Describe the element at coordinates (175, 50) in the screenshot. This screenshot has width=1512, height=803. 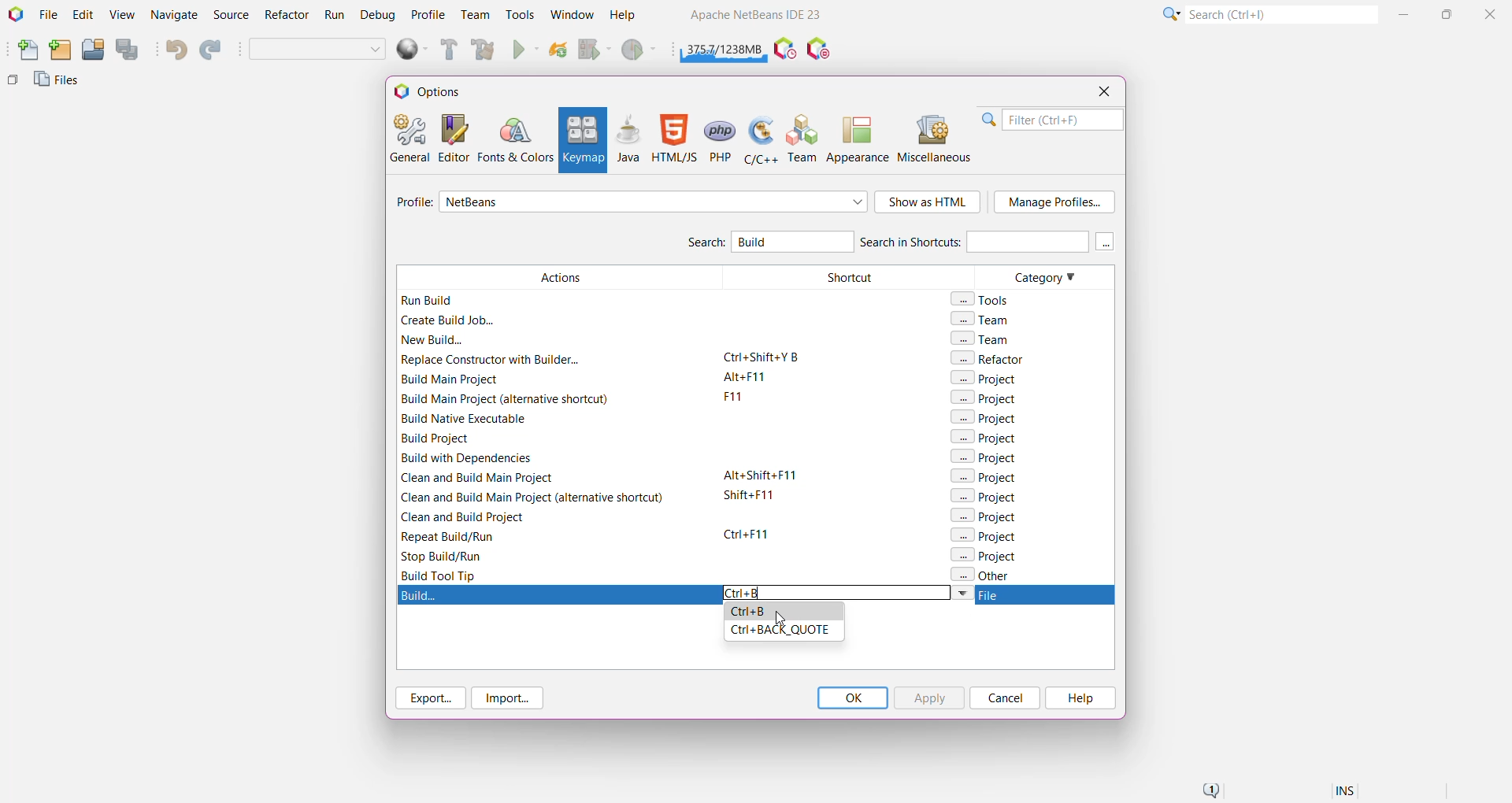
I see `Undo` at that location.